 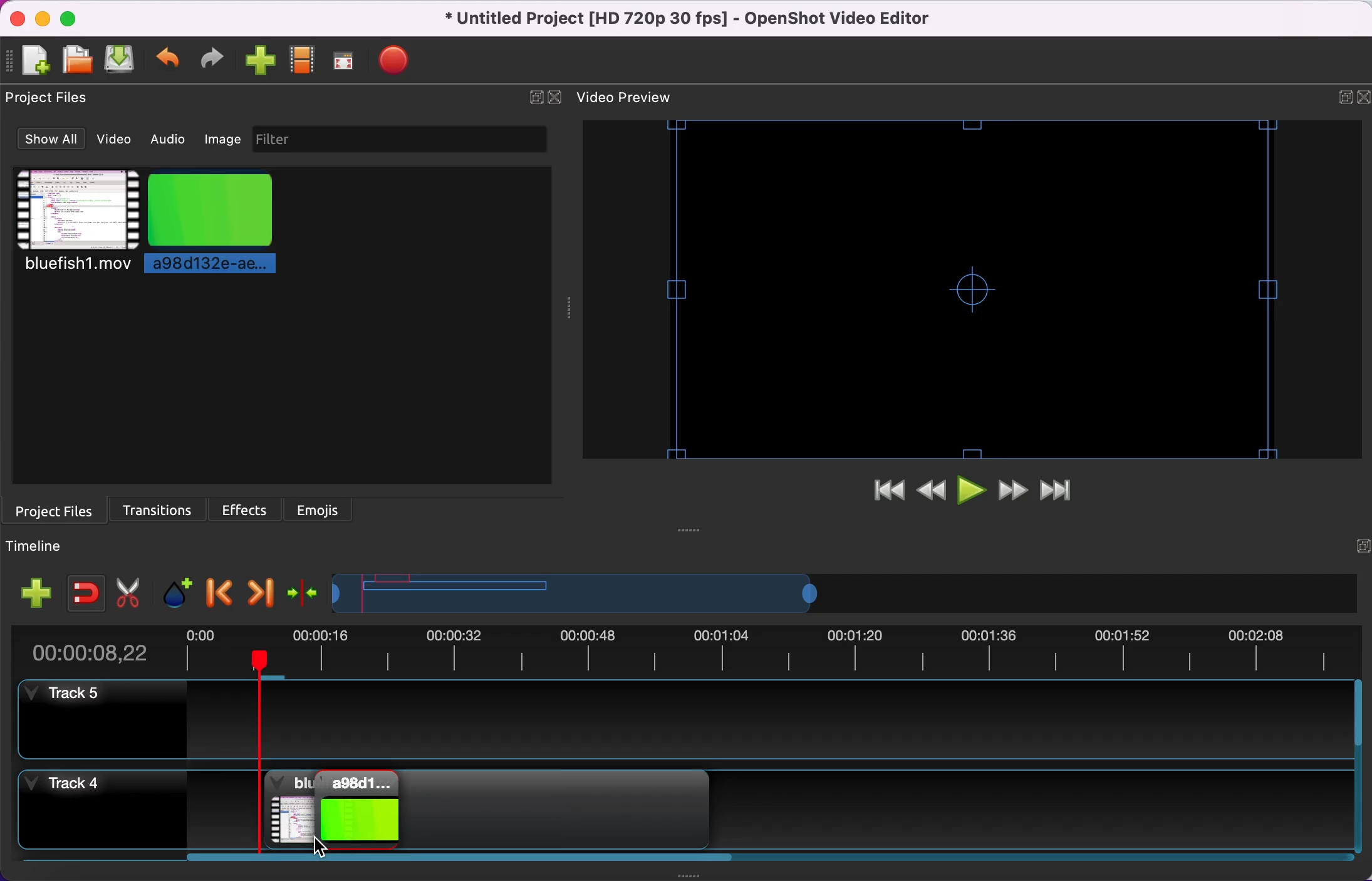 I want to click on next marker, so click(x=264, y=592).